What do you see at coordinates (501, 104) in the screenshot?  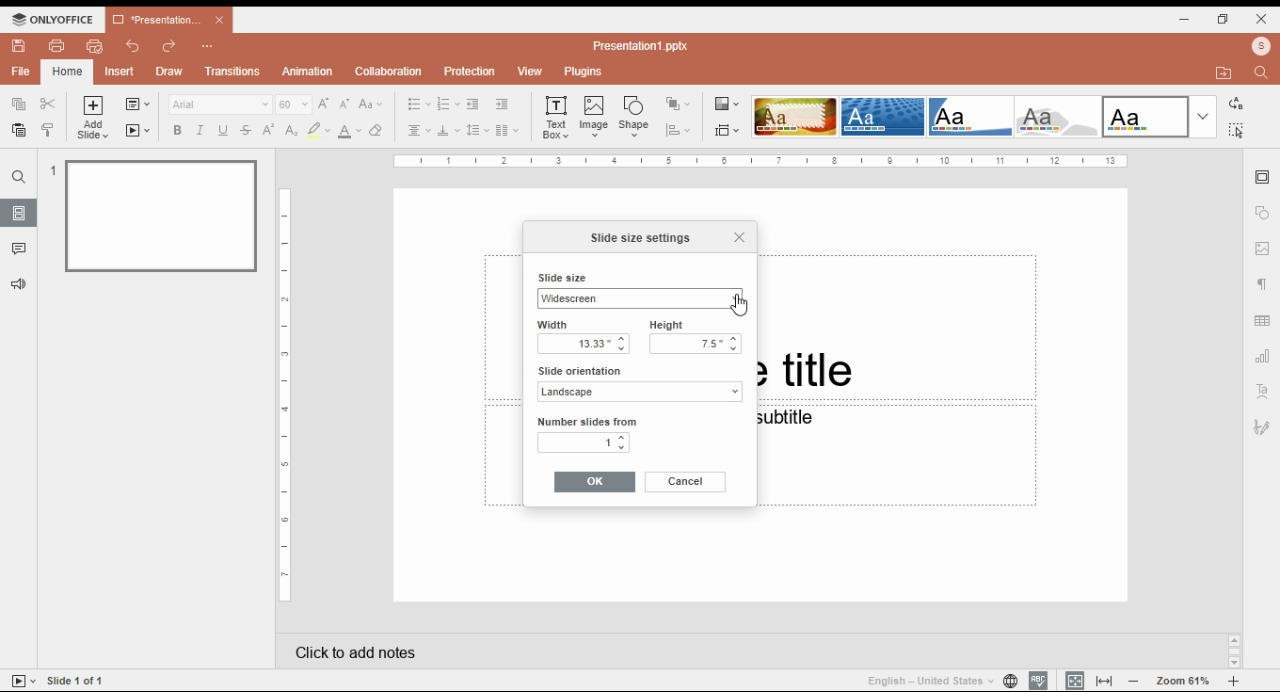 I see `increase indent` at bounding box center [501, 104].